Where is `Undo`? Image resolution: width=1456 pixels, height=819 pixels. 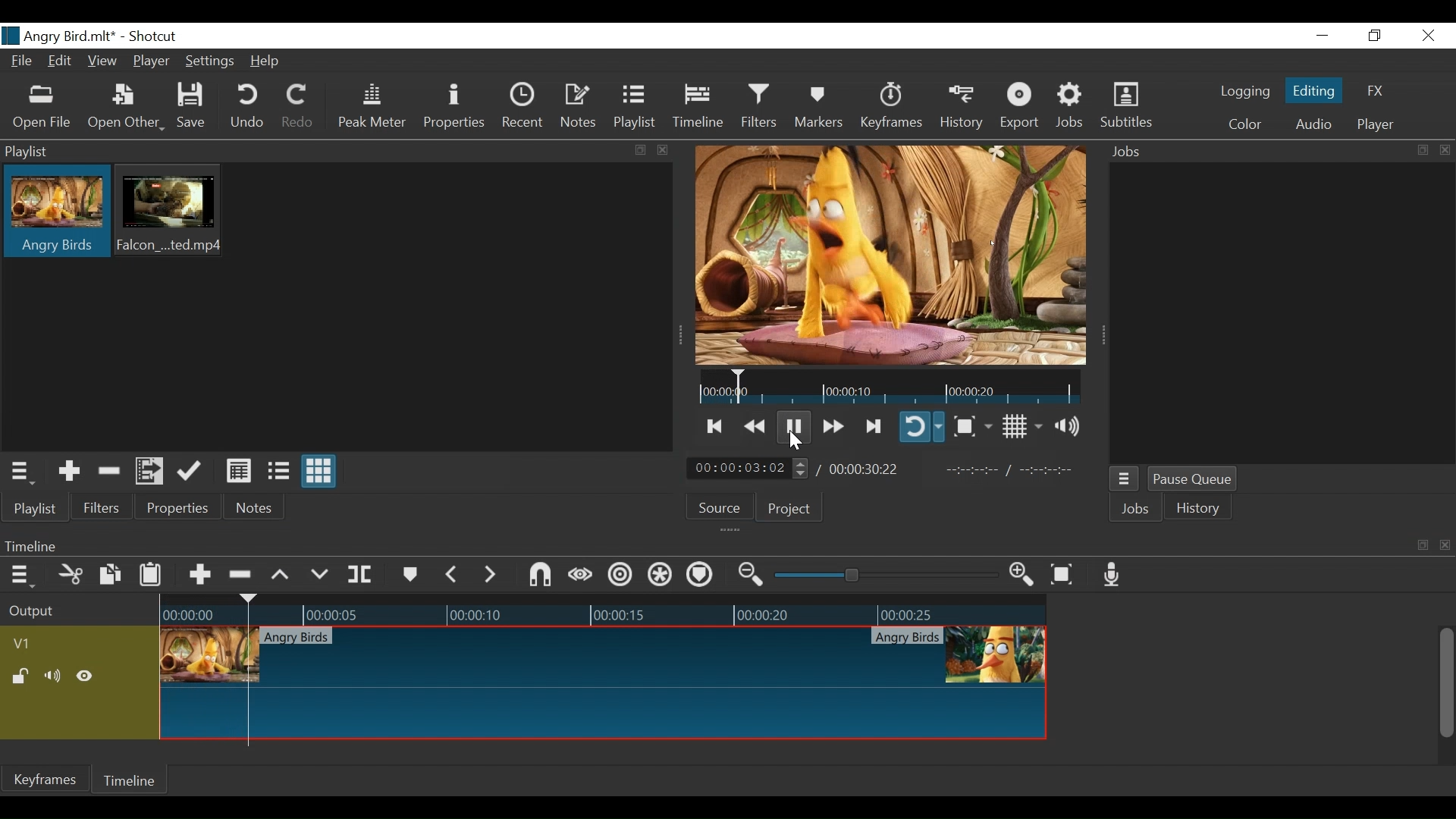 Undo is located at coordinates (249, 108).